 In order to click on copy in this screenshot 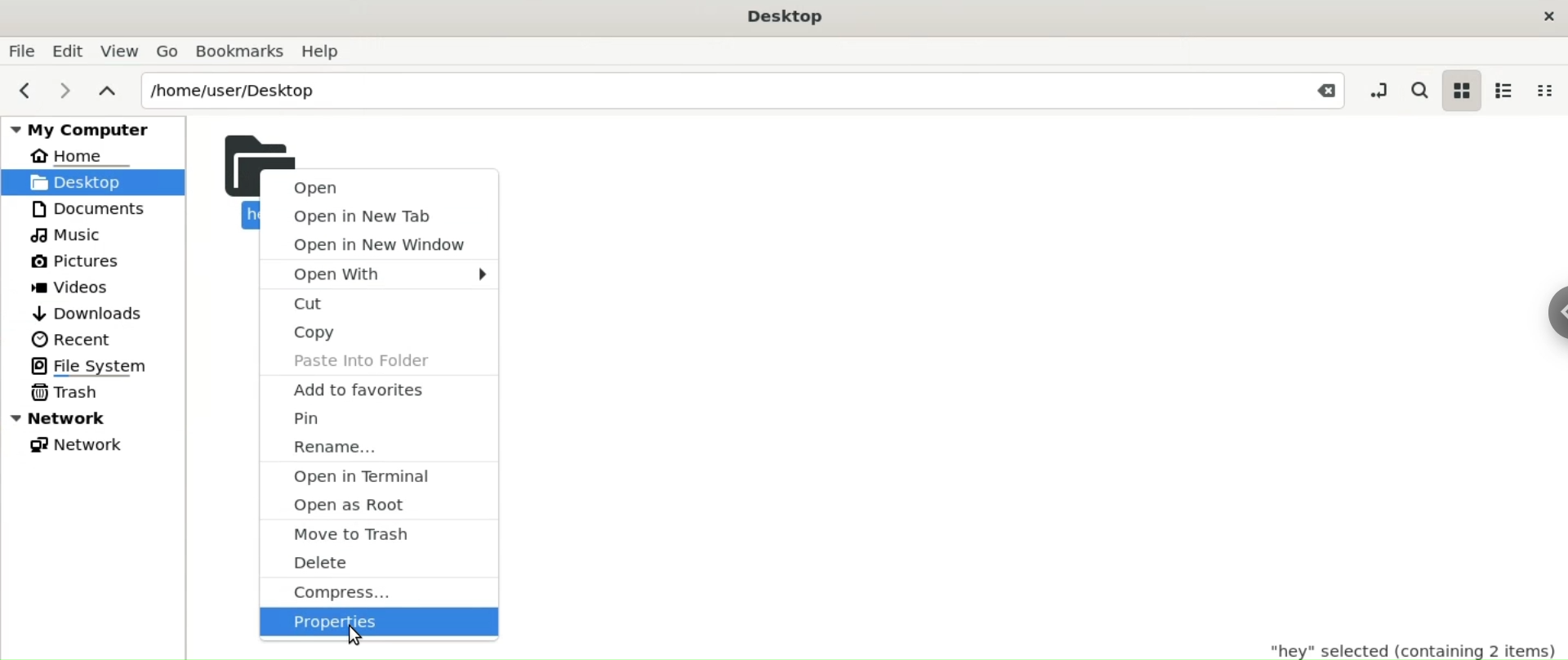, I will do `click(379, 332)`.